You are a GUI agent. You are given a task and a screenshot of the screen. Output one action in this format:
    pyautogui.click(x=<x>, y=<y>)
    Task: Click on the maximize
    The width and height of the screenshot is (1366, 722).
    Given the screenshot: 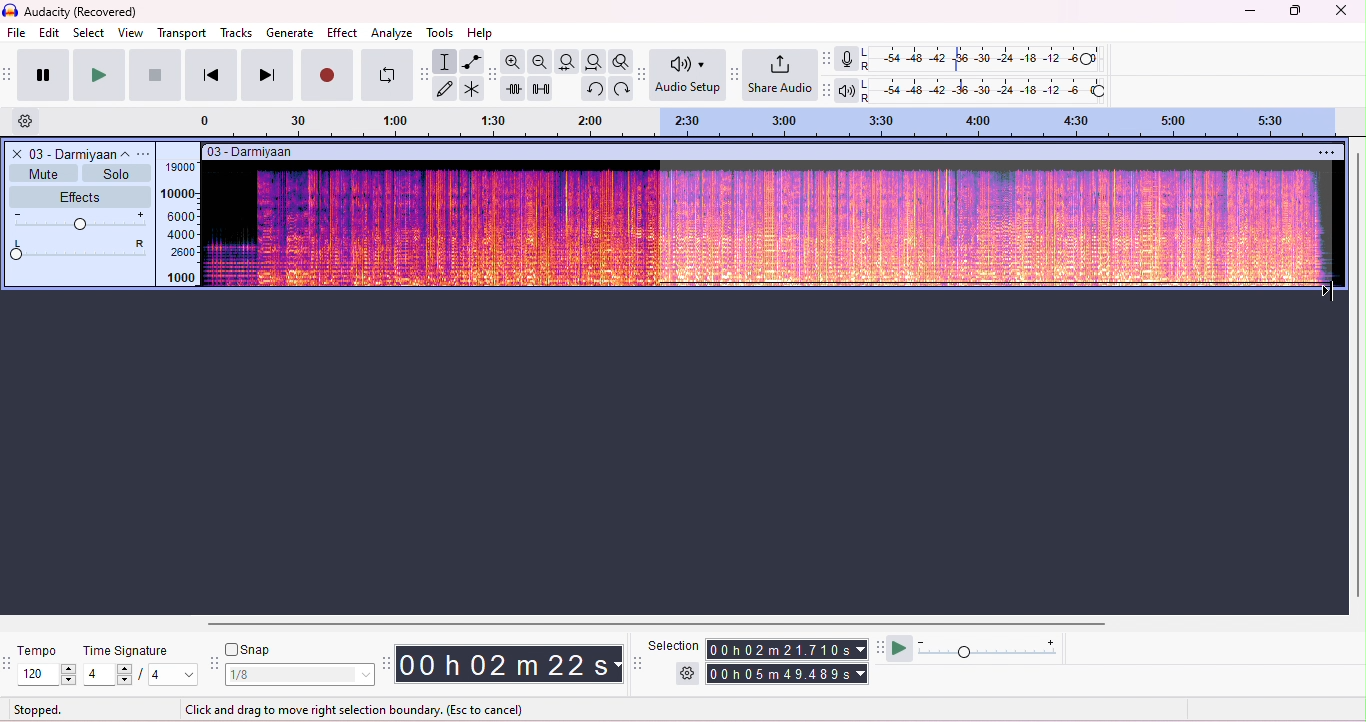 What is the action you would take?
    pyautogui.click(x=1293, y=11)
    